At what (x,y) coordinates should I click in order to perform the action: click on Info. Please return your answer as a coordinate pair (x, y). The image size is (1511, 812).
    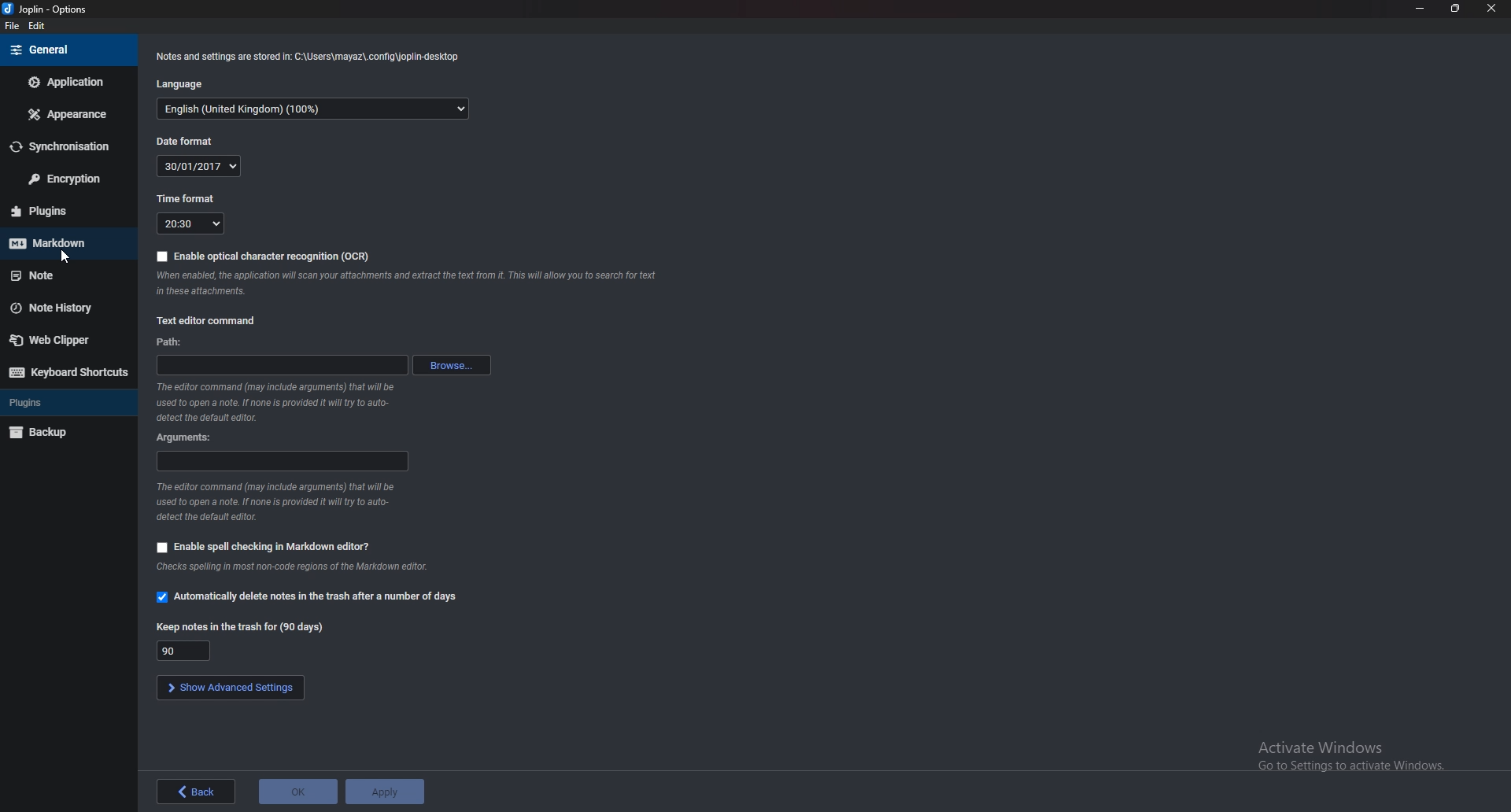
    Looking at the image, I should click on (408, 281).